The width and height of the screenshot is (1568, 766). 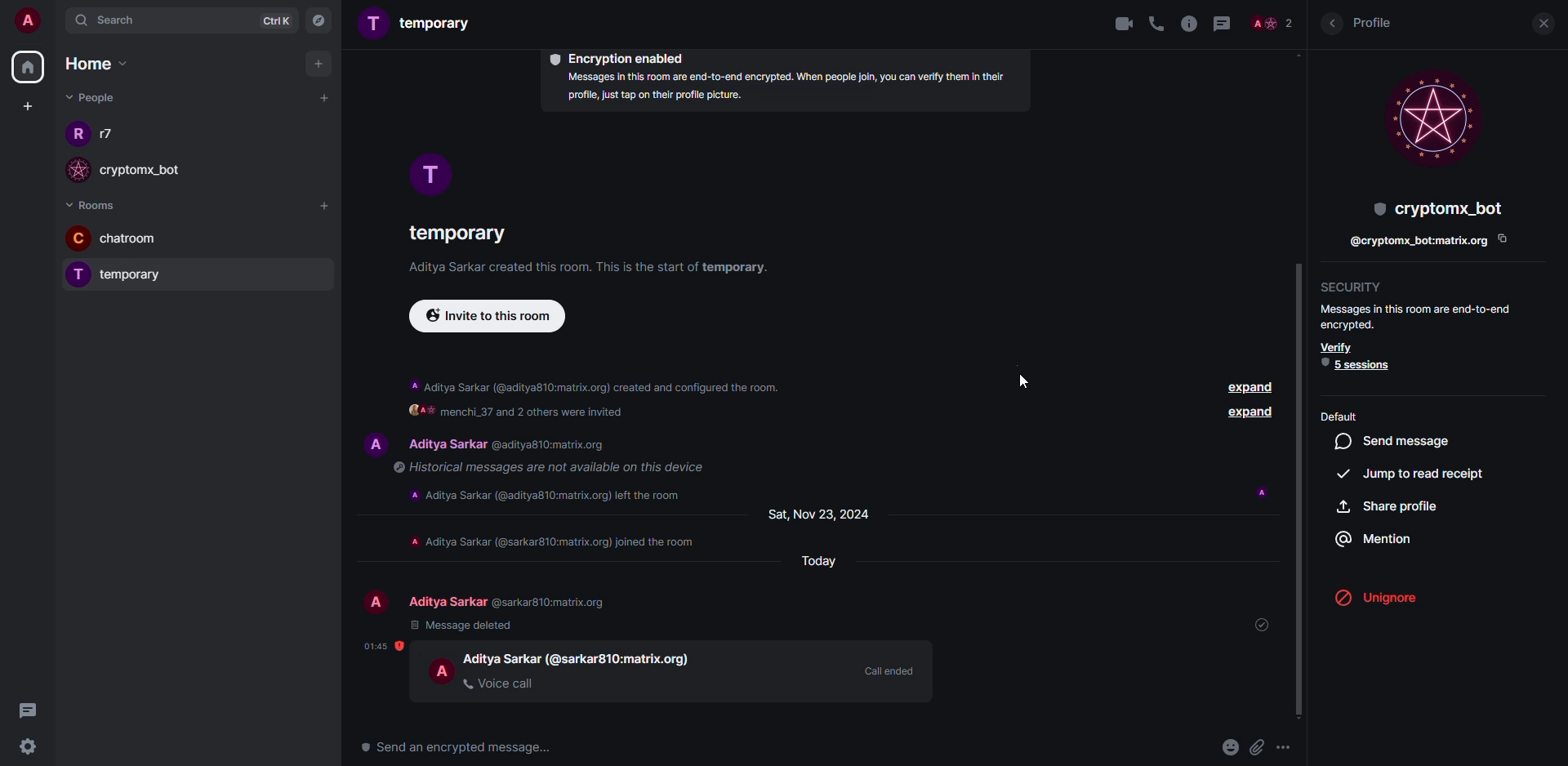 What do you see at coordinates (1258, 748) in the screenshot?
I see `attach` at bounding box center [1258, 748].